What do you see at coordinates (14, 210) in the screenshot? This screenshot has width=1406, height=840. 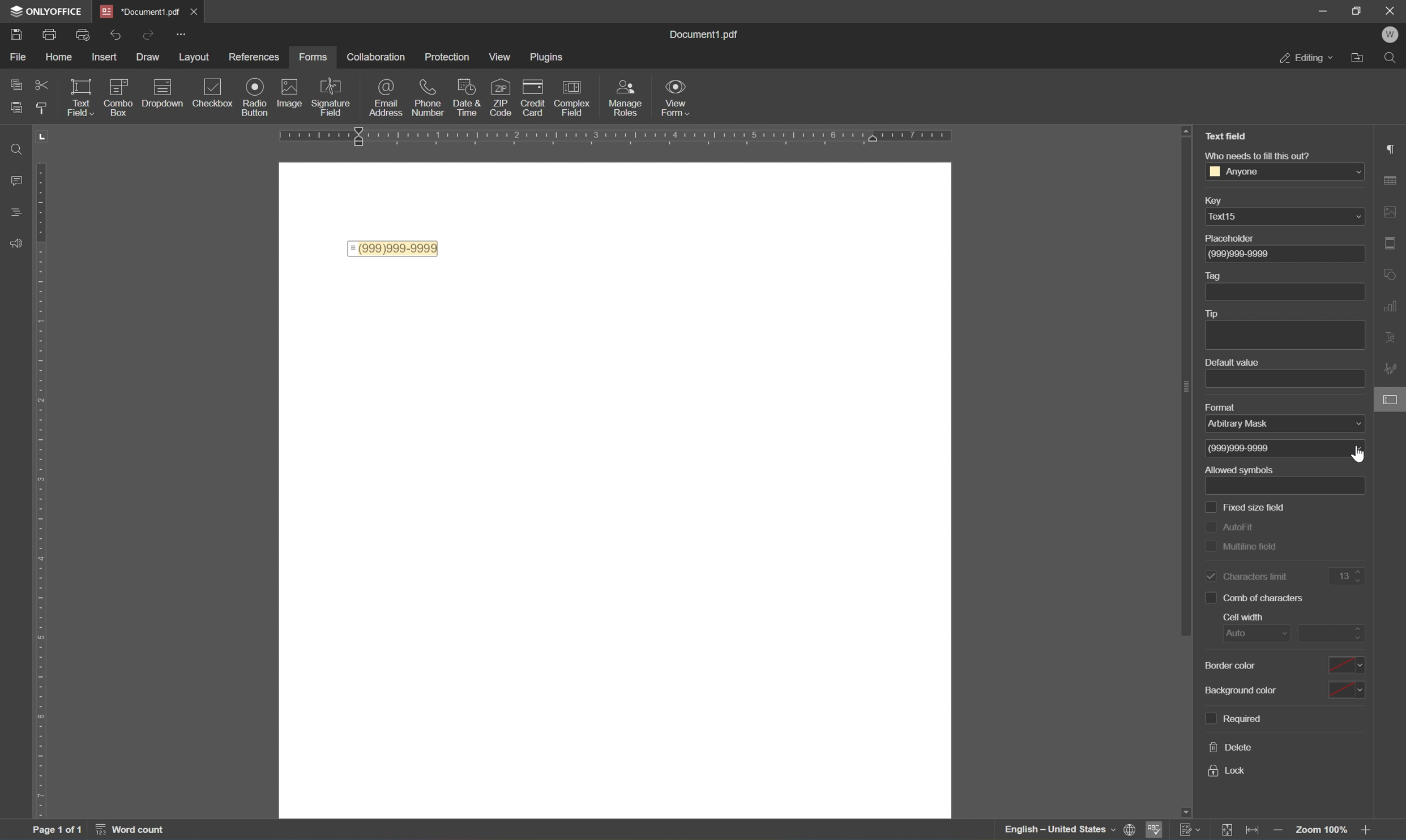 I see `headings` at bounding box center [14, 210].